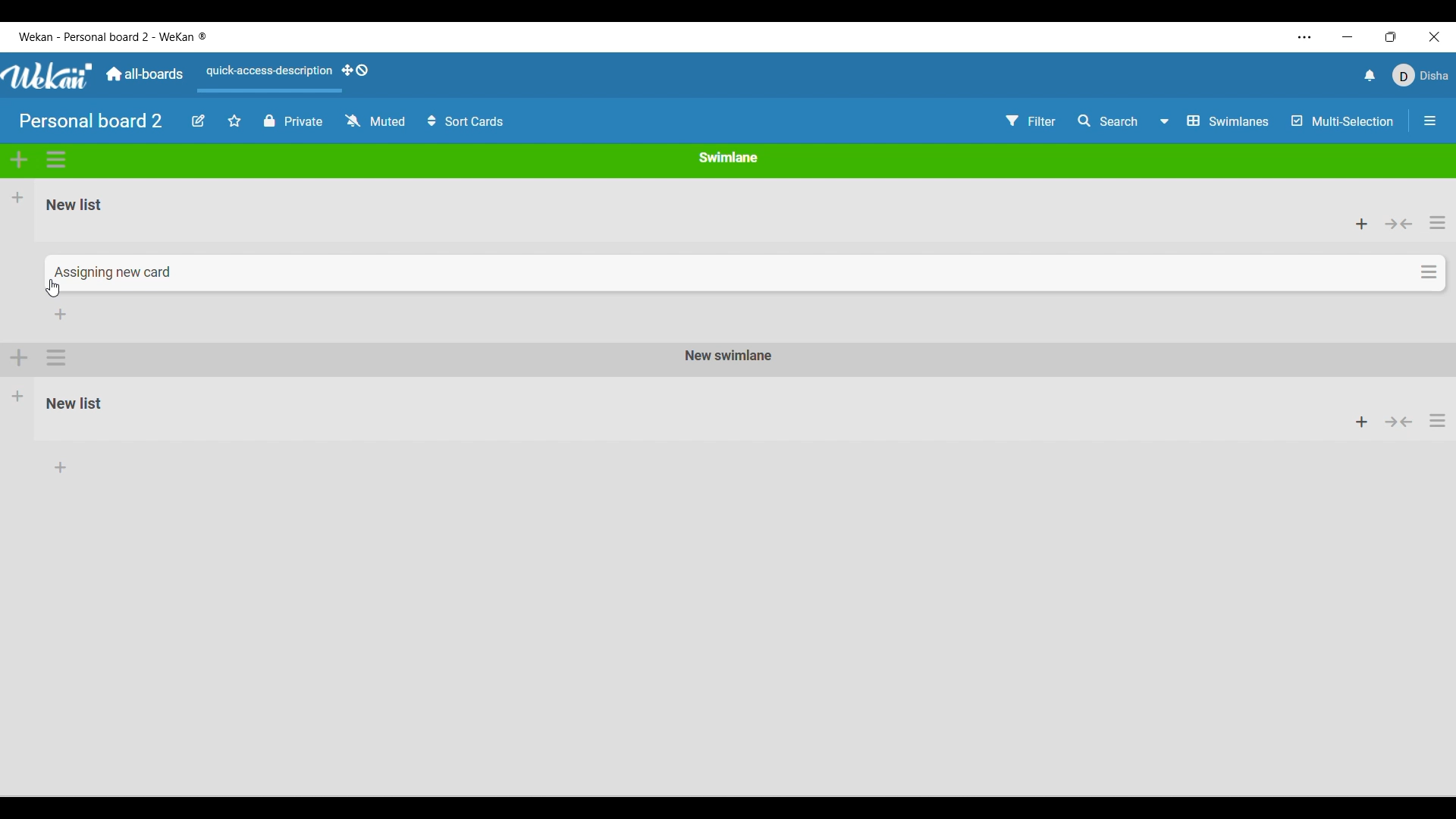 The image size is (1456, 819). What do you see at coordinates (376, 120) in the screenshot?
I see `Change watch options` at bounding box center [376, 120].